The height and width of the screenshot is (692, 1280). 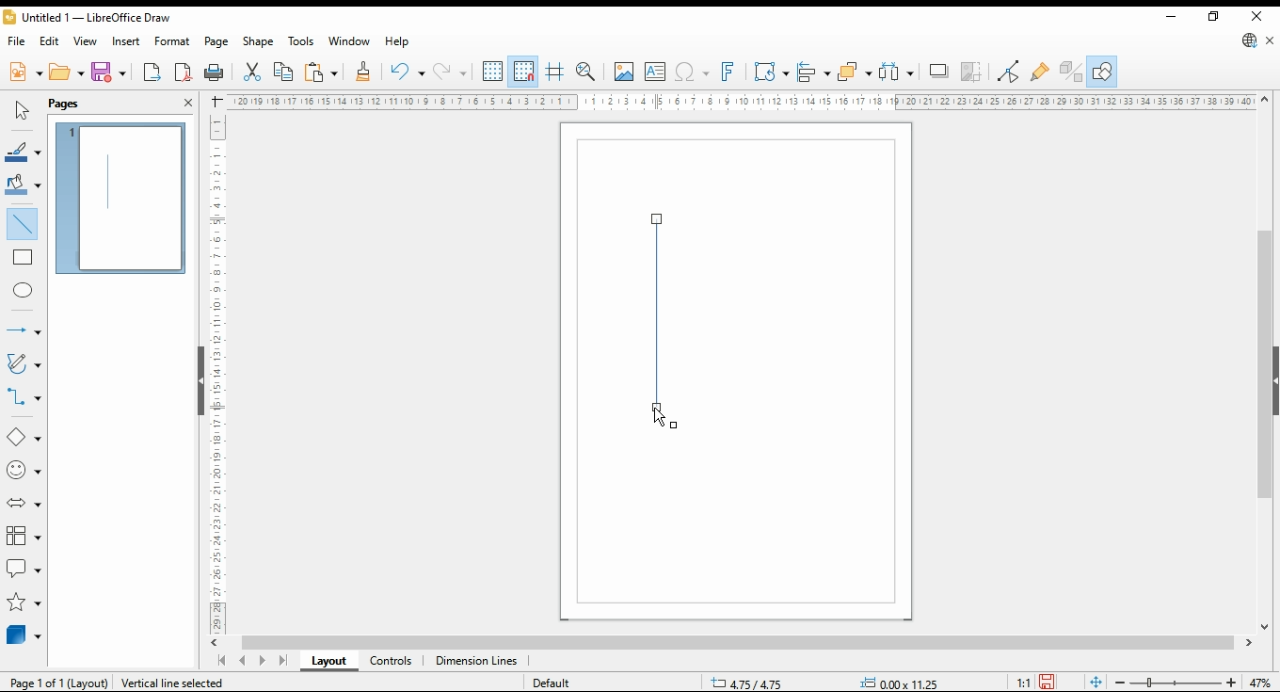 What do you see at coordinates (23, 332) in the screenshot?
I see `lines and arrows` at bounding box center [23, 332].